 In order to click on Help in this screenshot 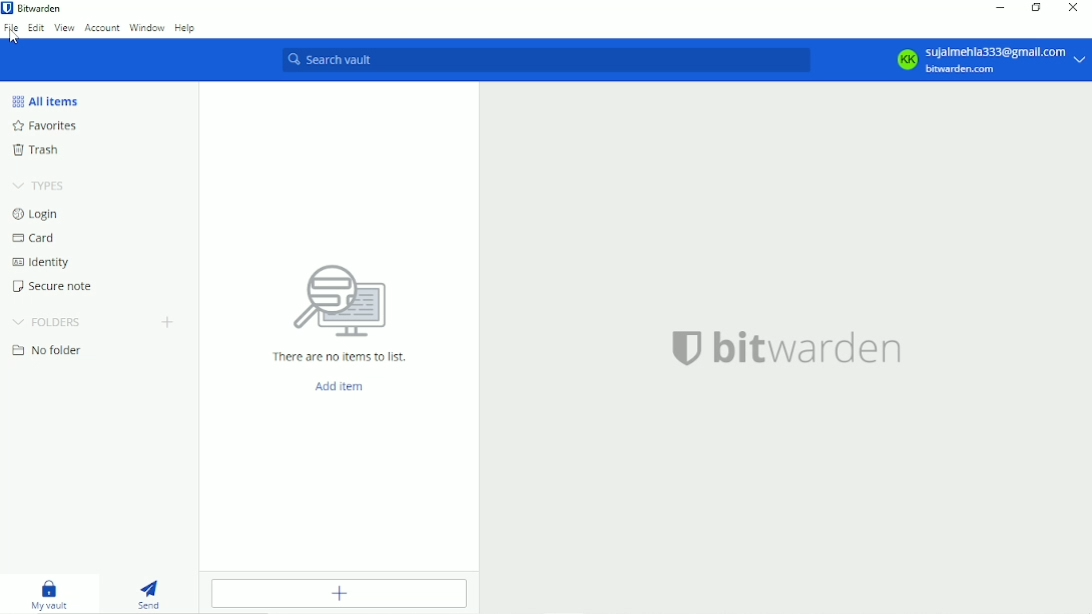, I will do `click(186, 28)`.